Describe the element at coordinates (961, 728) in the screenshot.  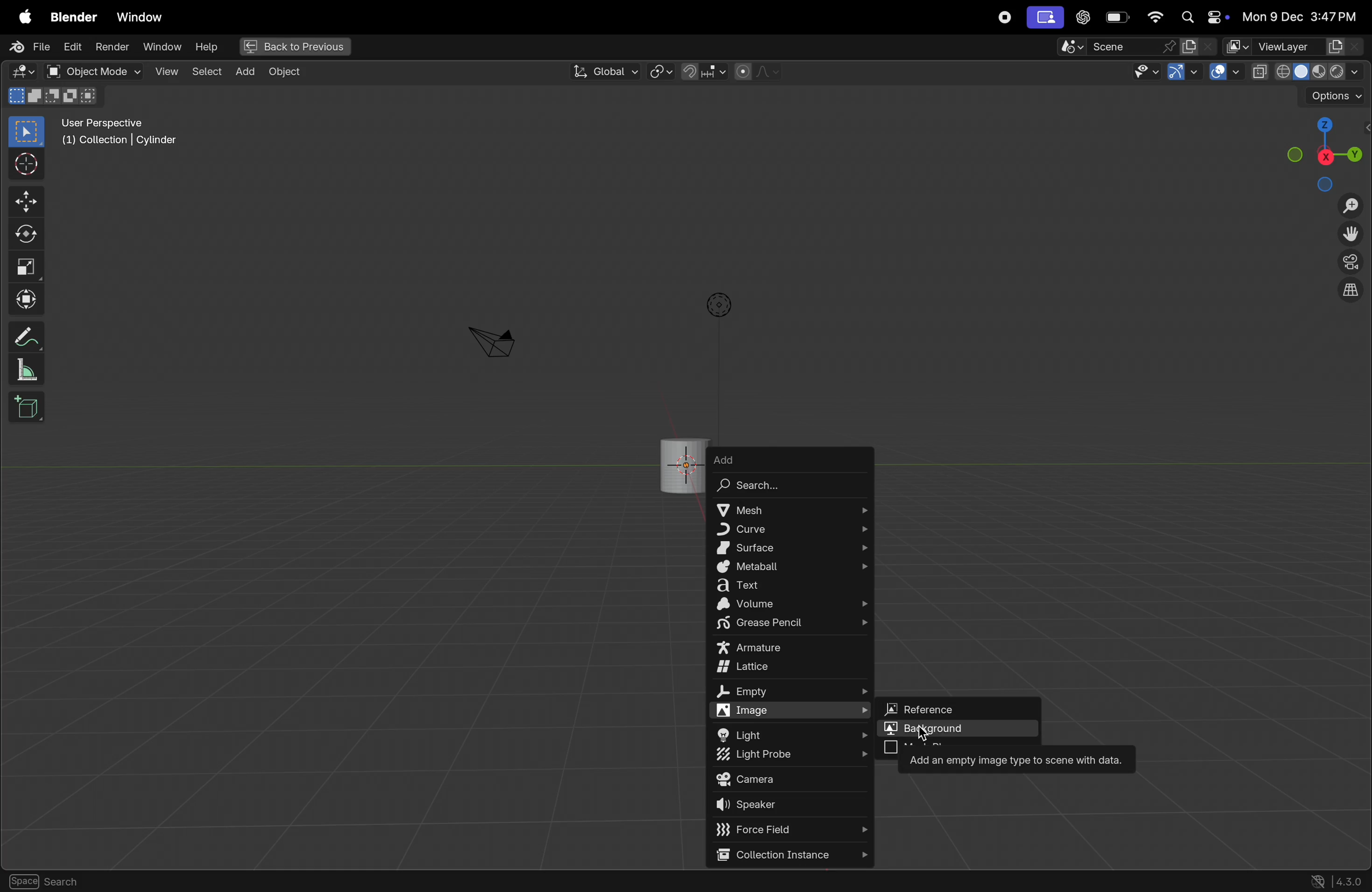
I see `background` at that location.